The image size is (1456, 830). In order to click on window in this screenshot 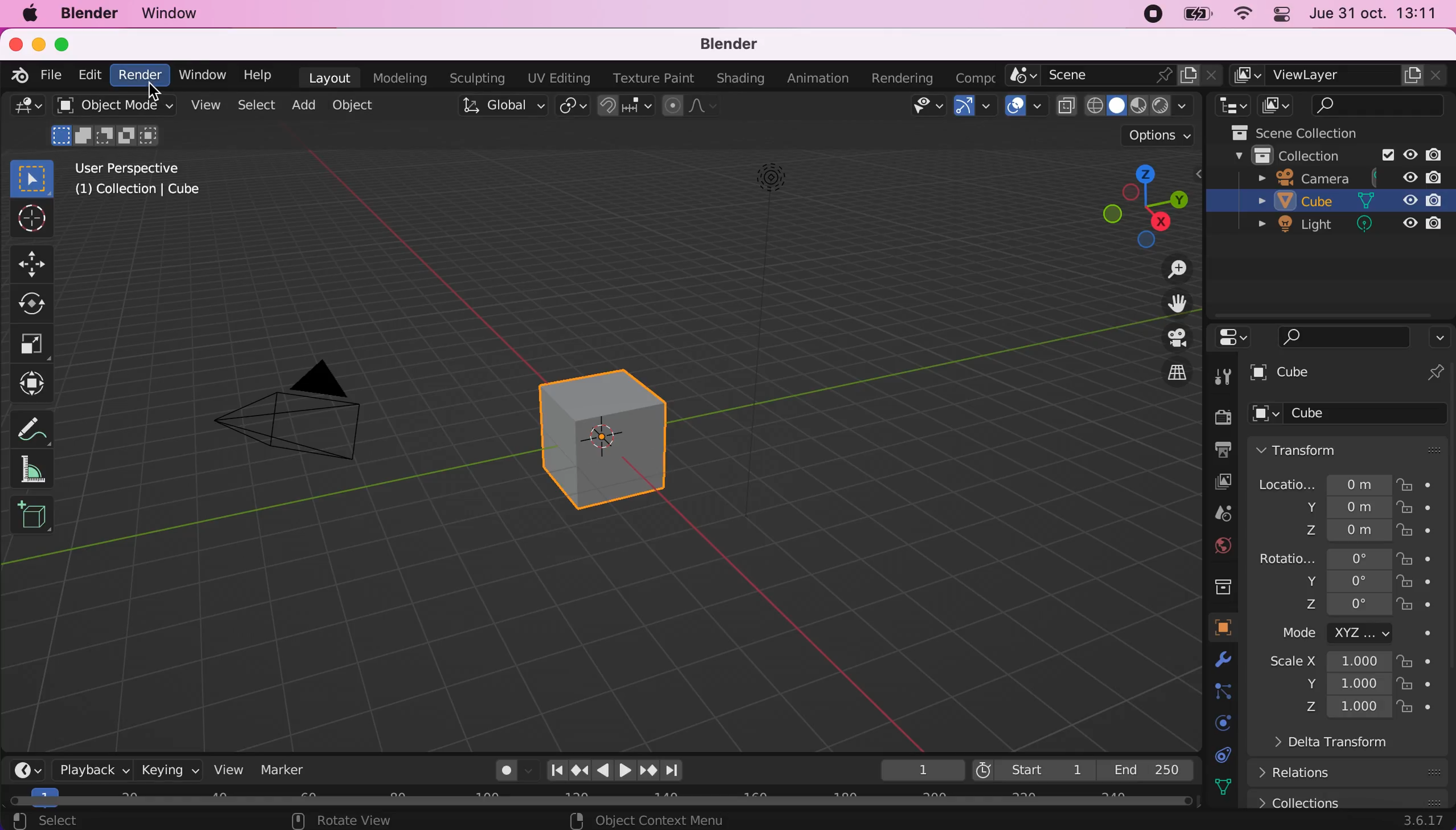, I will do `click(184, 14)`.